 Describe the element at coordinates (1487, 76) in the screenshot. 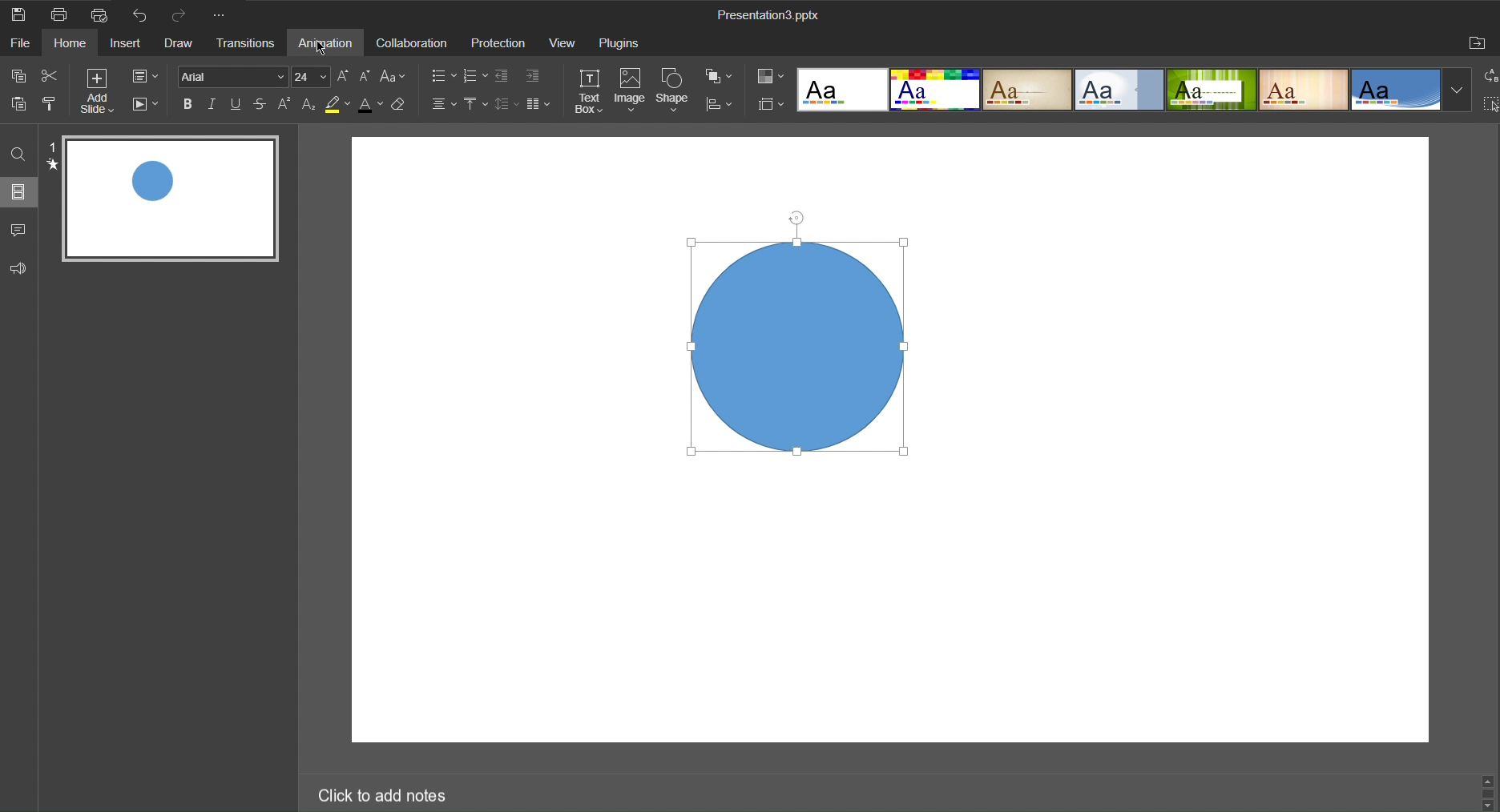

I see `Replace` at that location.